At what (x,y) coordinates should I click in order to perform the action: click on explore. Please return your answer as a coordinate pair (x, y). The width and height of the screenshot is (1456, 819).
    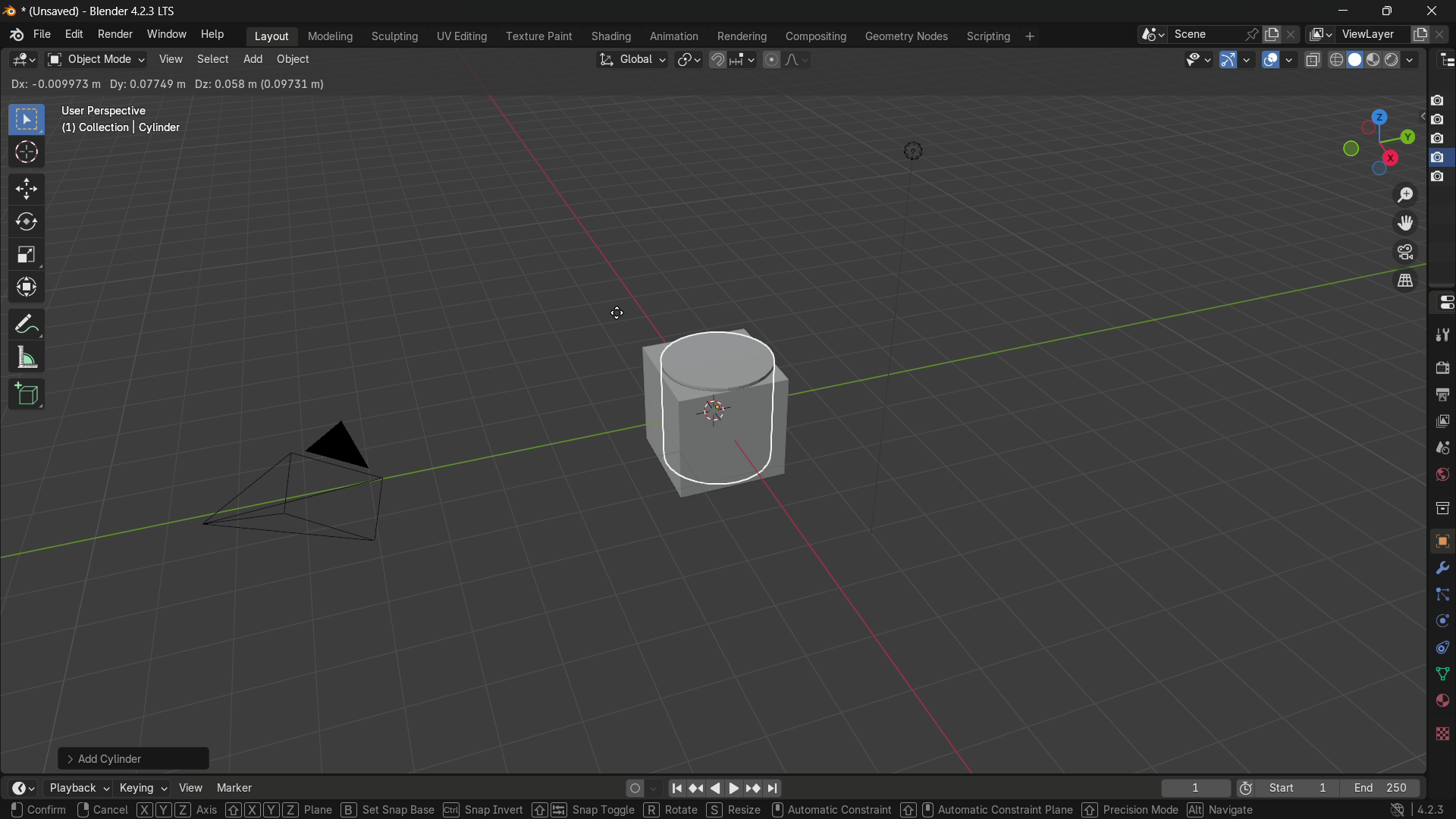
    Looking at the image, I should click on (1442, 703).